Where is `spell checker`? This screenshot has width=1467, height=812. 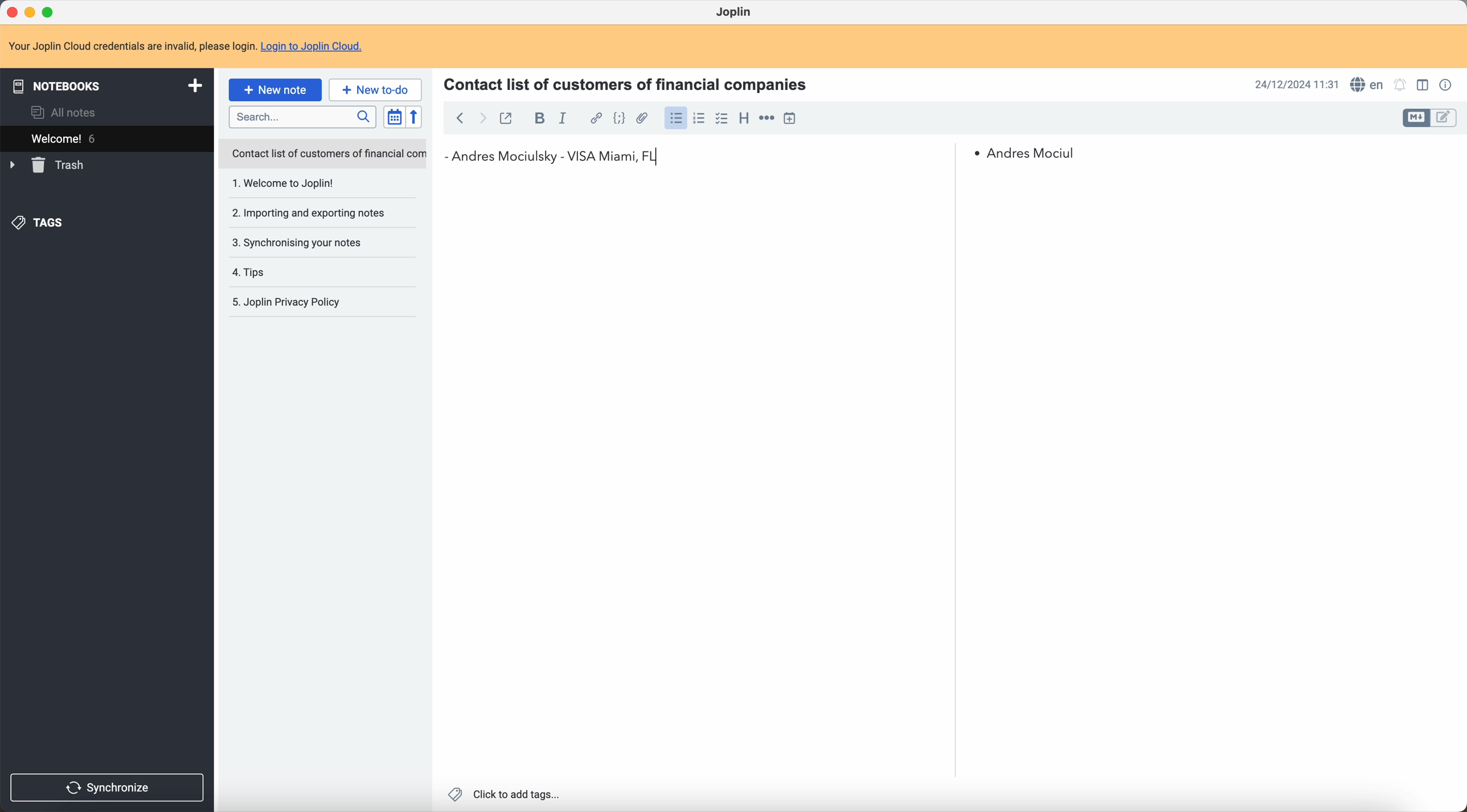
spell checker is located at coordinates (1367, 84).